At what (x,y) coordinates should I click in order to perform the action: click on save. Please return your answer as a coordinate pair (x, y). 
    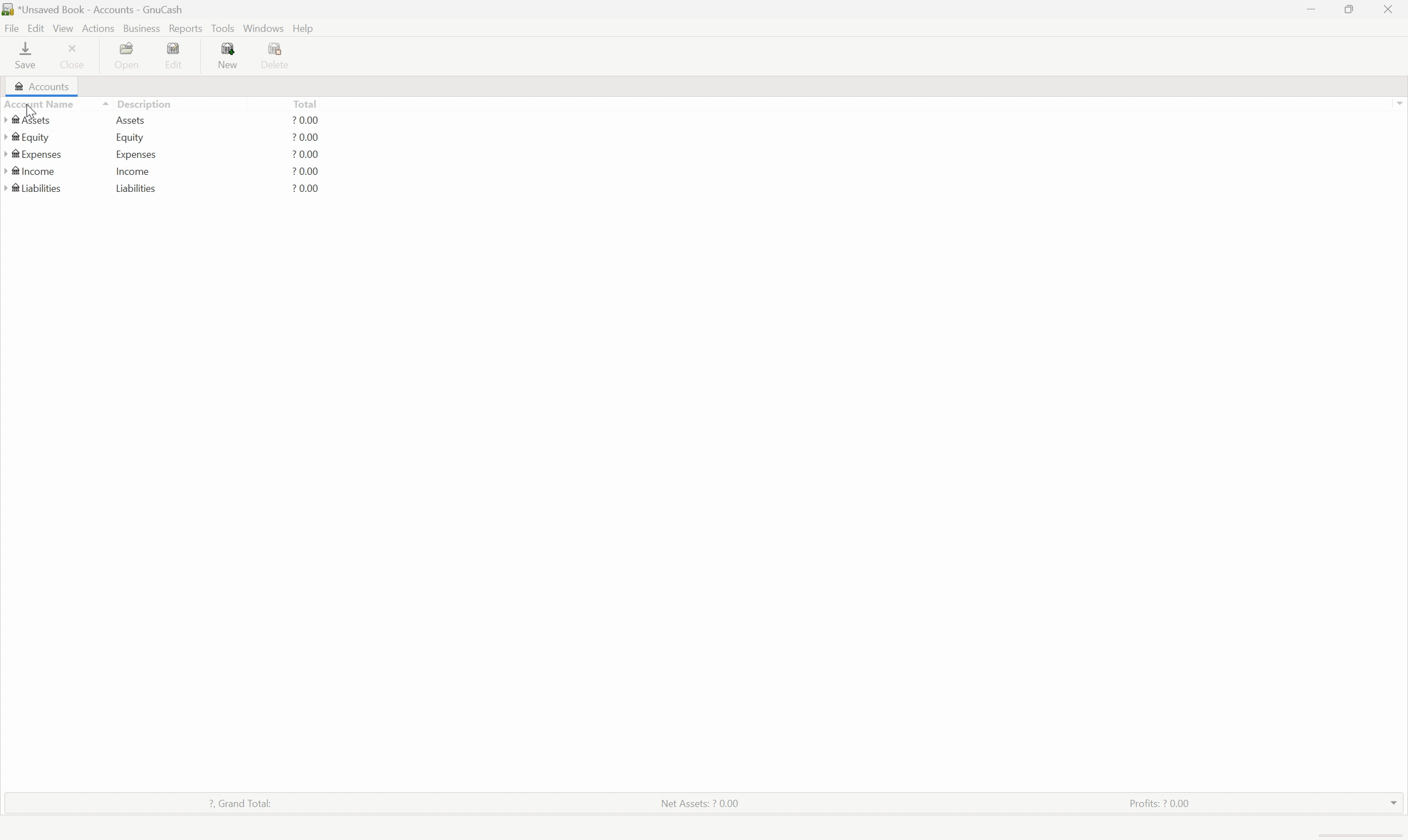
    Looking at the image, I should click on (27, 54).